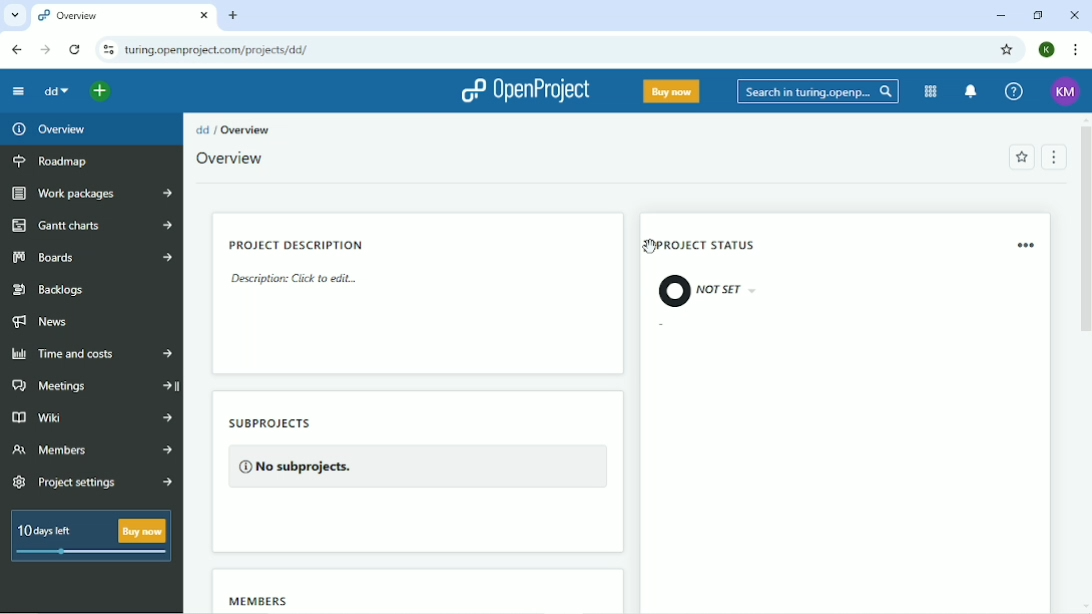 Image resolution: width=1092 pixels, height=614 pixels. Describe the element at coordinates (416, 454) in the screenshot. I see `Subprojects` at that location.